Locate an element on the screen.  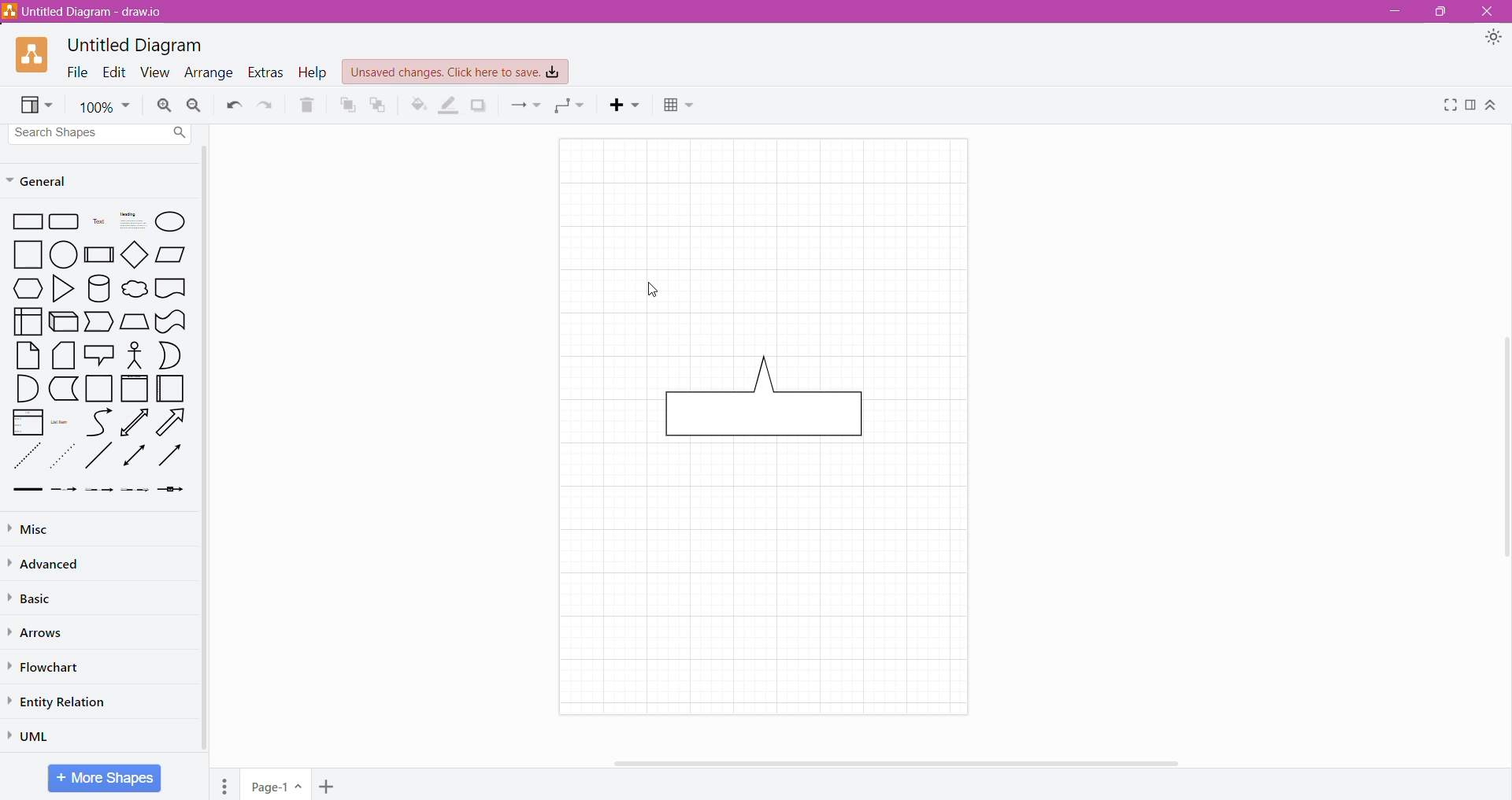
Stacked Papers is located at coordinates (64, 356).